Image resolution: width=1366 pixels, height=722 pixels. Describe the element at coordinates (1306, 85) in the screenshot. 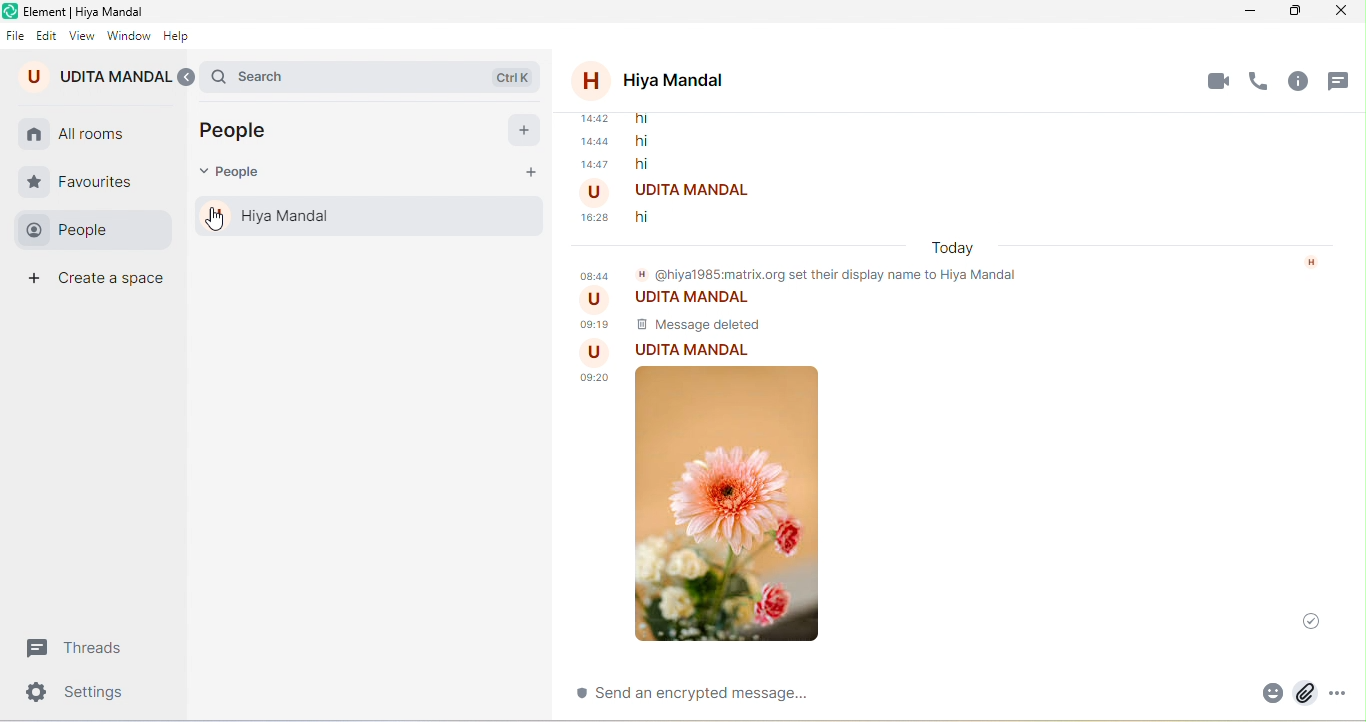

I see `room info` at that location.